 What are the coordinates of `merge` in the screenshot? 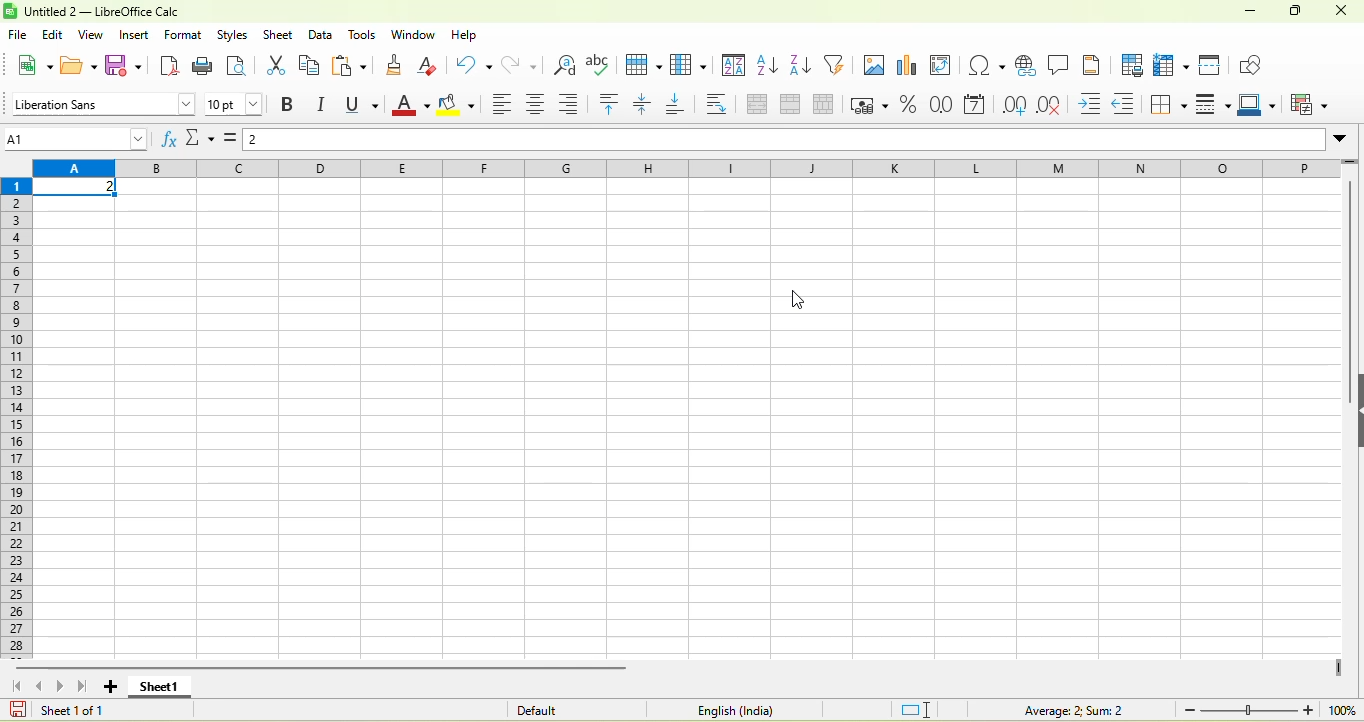 It's located at (797, 106).